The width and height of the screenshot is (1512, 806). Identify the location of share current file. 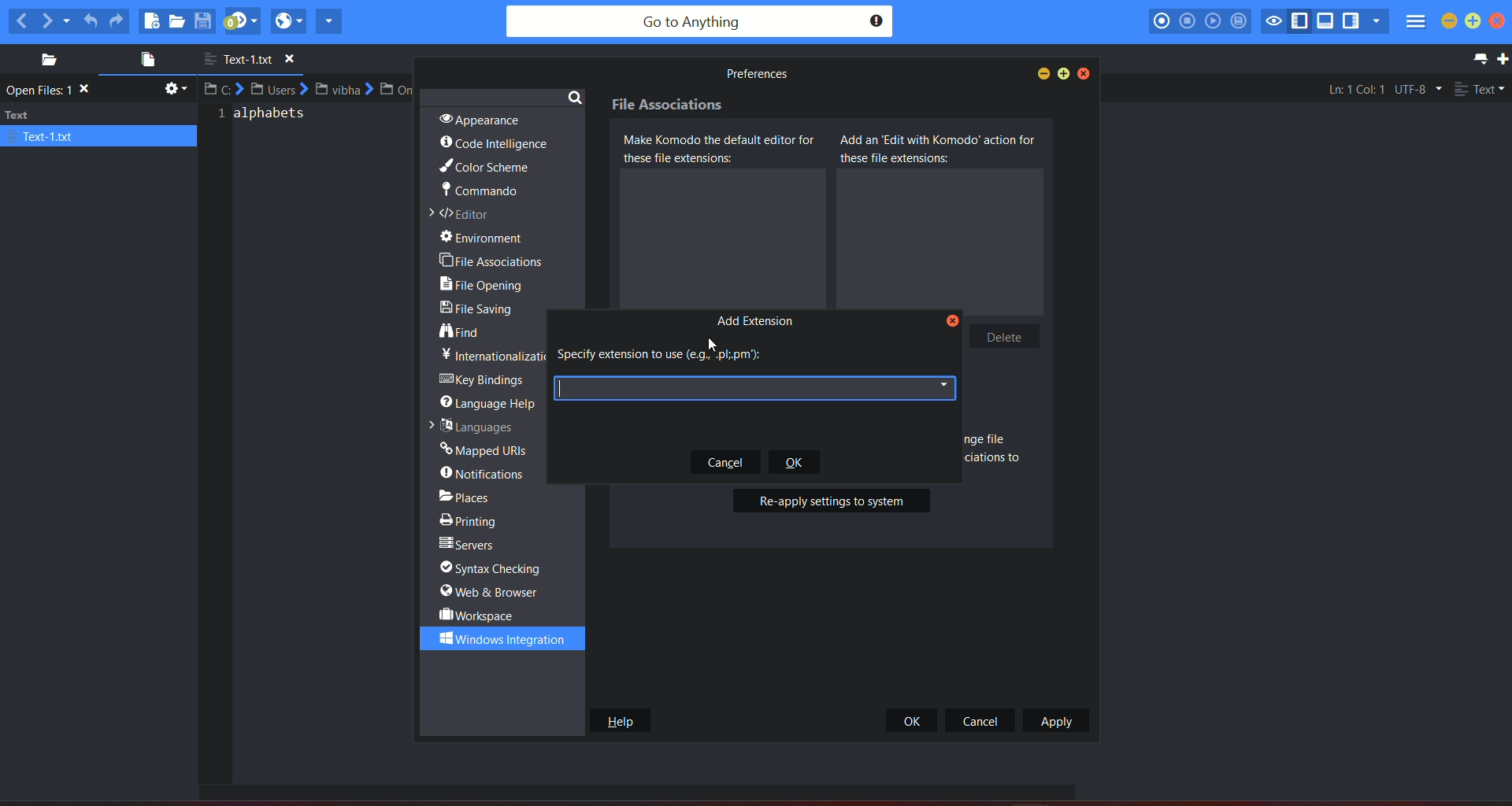
(329, 20).